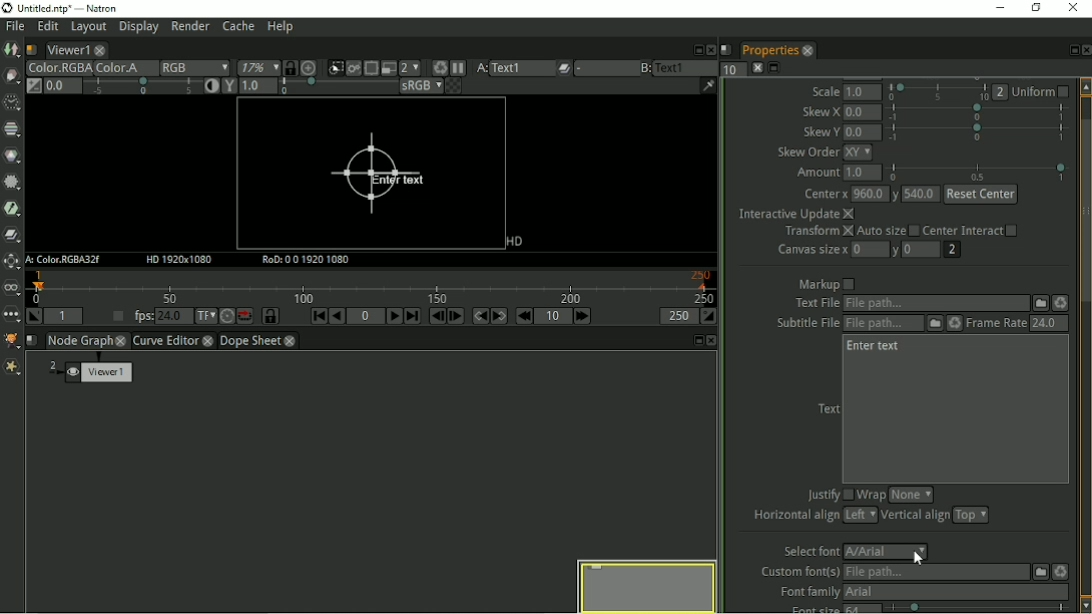 This screenshot has height=614, width=1092. What do you see at coordinates (251, 341) in the screenshot?
I see `Dope Sheet` at bounding box center [251, 341].